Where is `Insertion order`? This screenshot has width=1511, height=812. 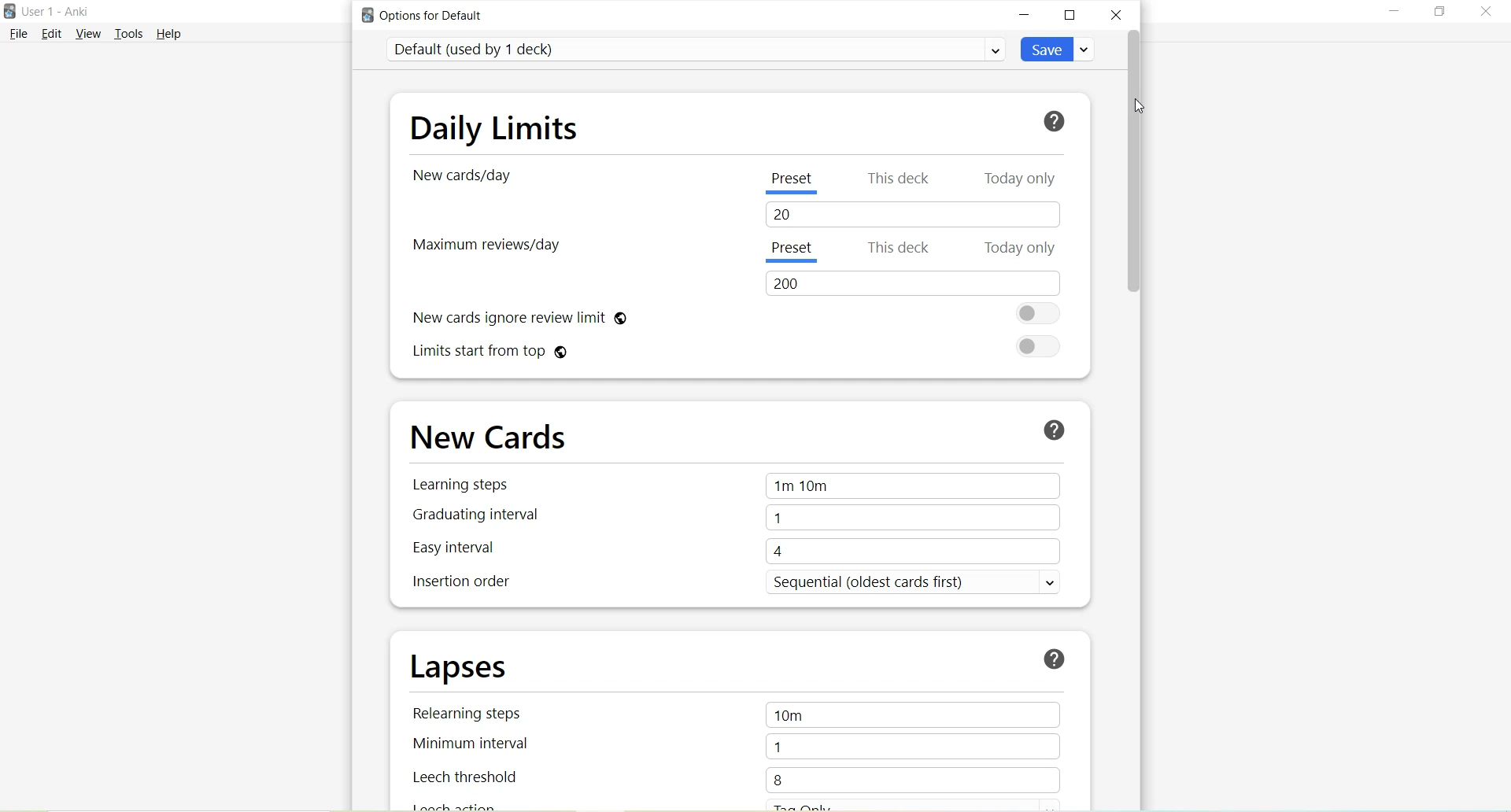 Insertion order is located at coordinates (468, 585).